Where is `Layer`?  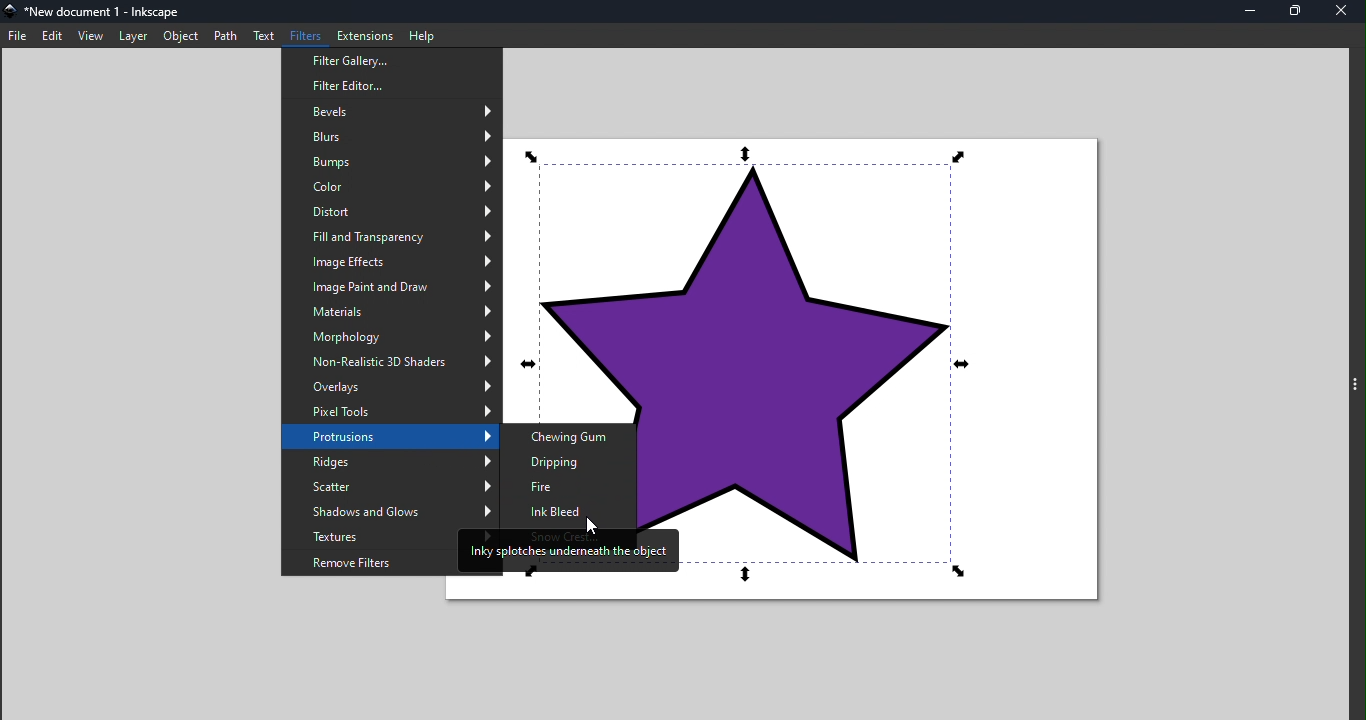 Layer is located at coordinates (133, 35).